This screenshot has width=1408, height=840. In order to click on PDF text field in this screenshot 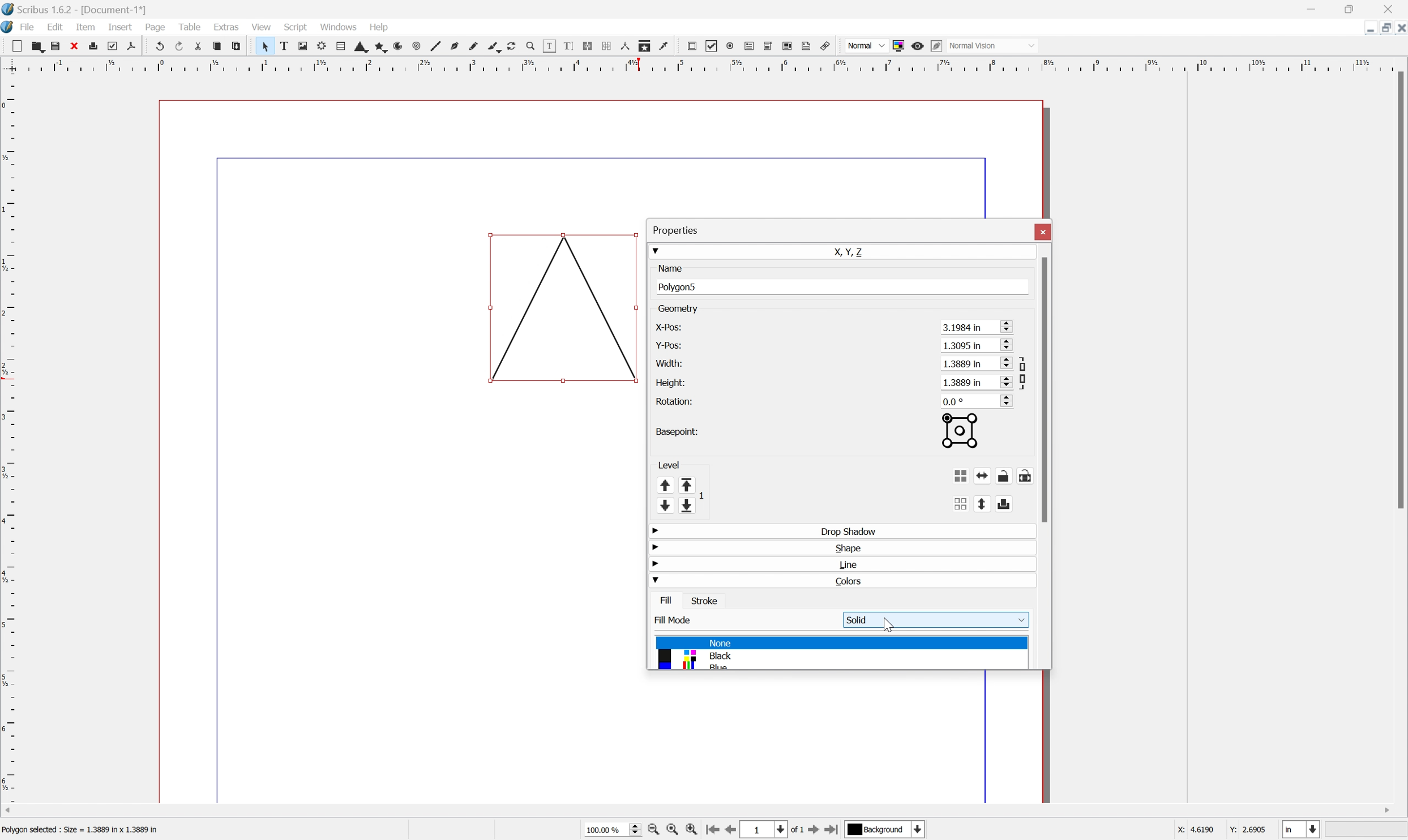, I will do `click(747, 46)`.